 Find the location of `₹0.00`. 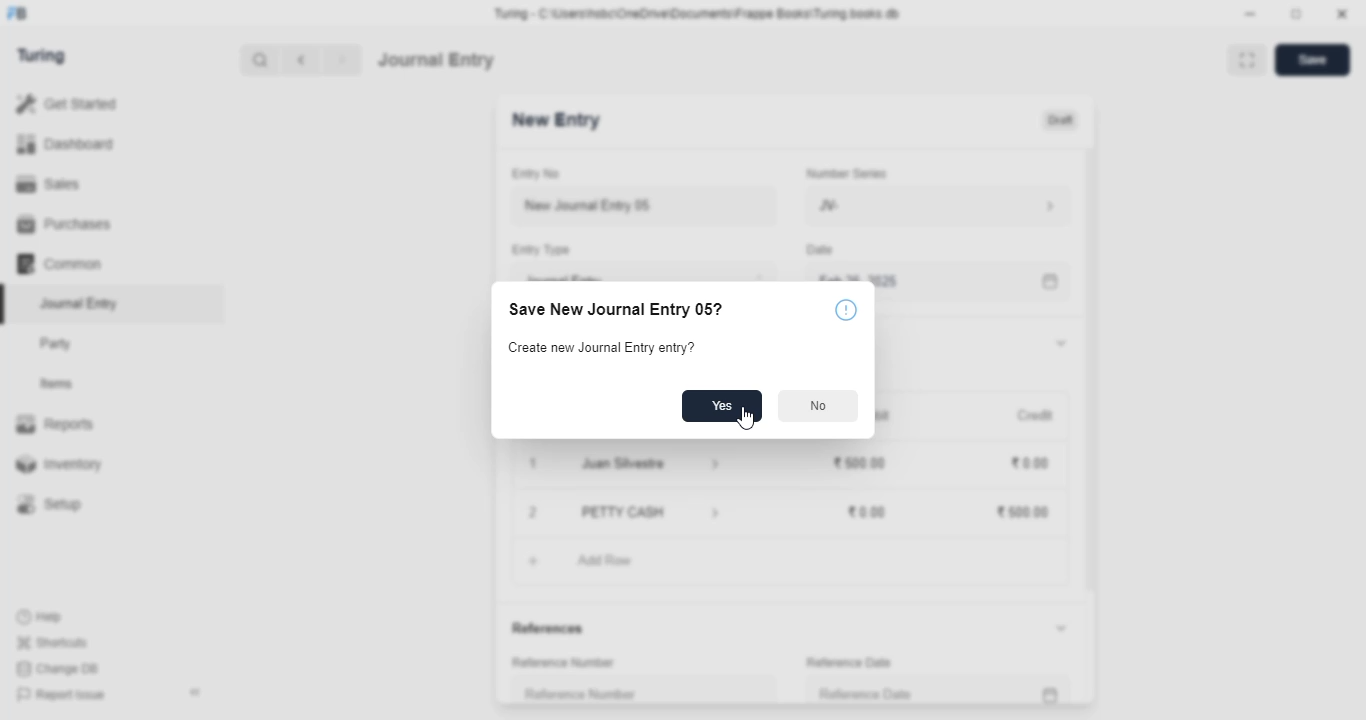

₹0.00 is located at coordinates (869, 512).